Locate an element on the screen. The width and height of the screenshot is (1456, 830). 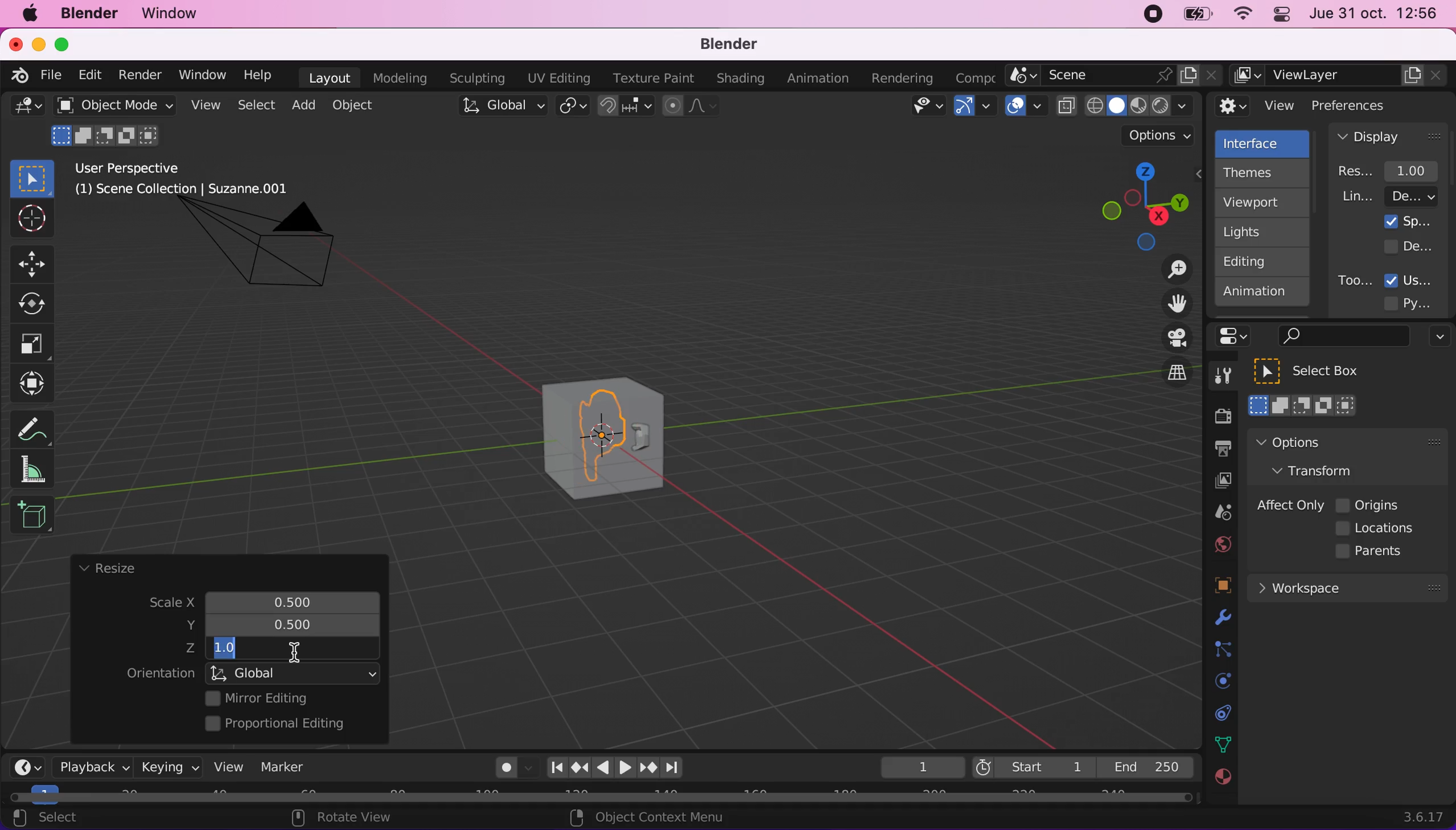
jump to endpoint is located at coordinates (678, 768).